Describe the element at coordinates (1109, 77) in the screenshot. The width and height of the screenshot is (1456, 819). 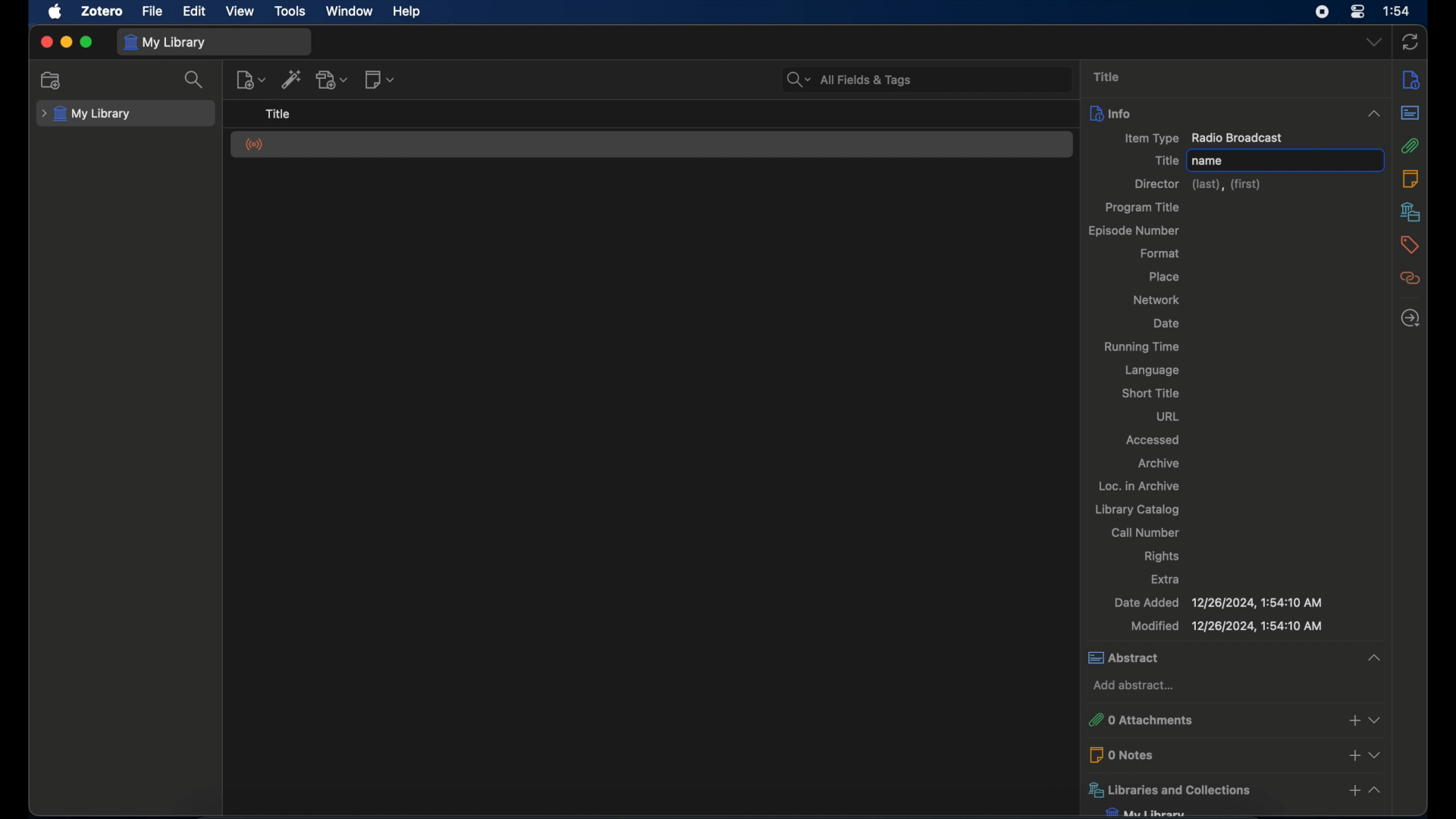
I see `title` at that location.